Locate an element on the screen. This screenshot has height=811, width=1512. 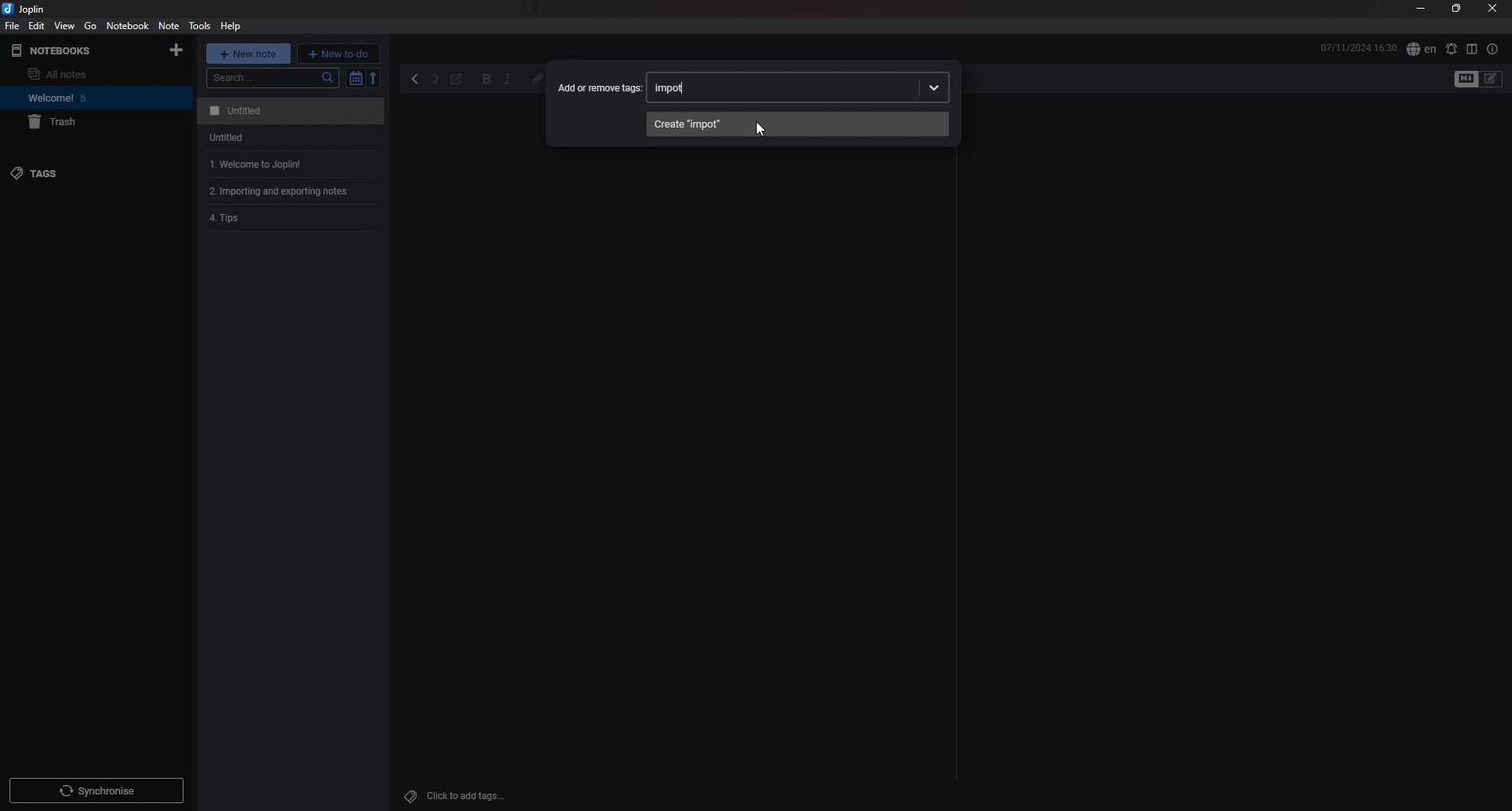
hyperlink is located at coordinates (534, 80).